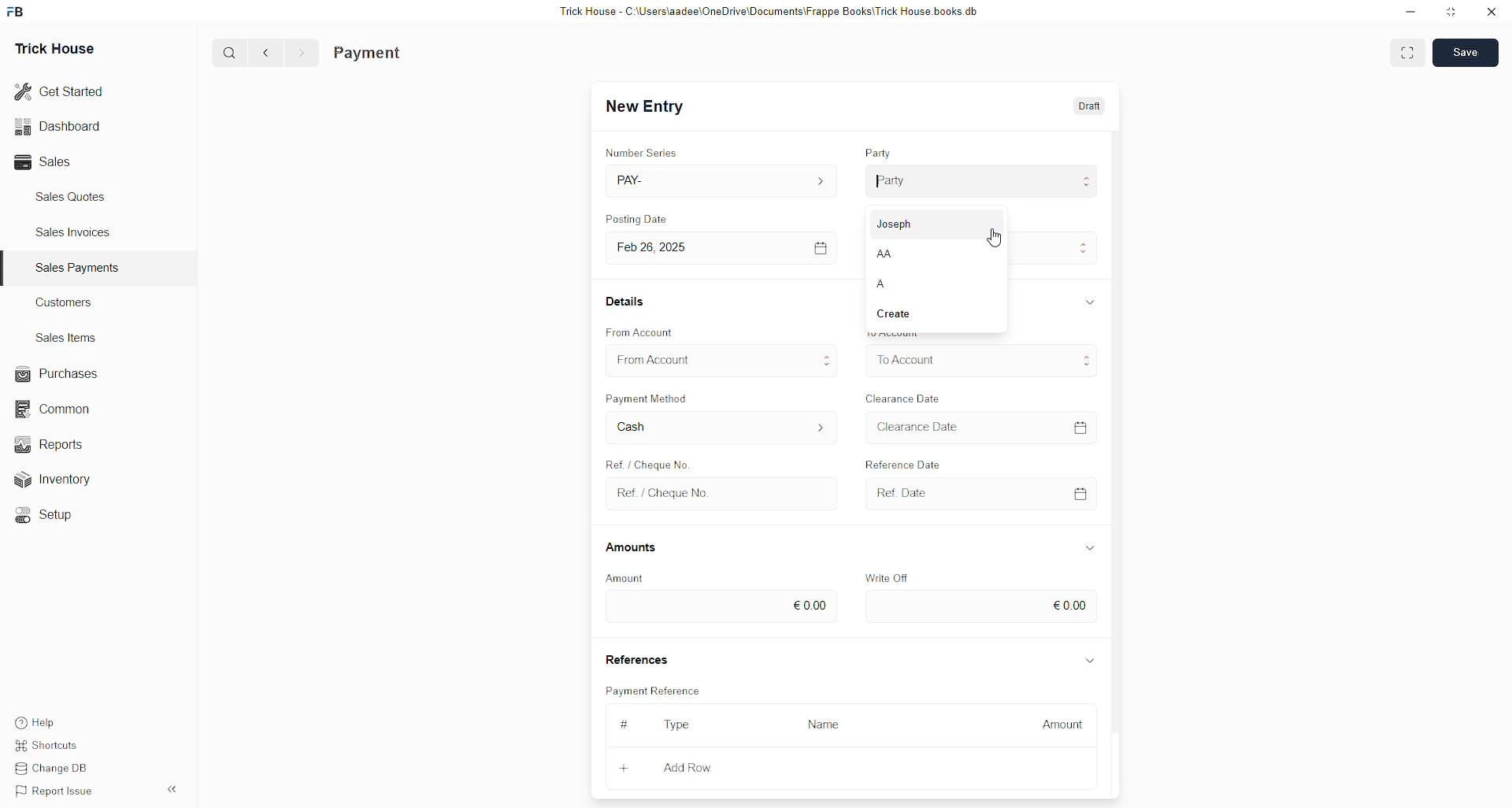  What do you see at coordinates (902, 462) in the screenshot?
I see `Reference Date` at bounding box center [902, 462].